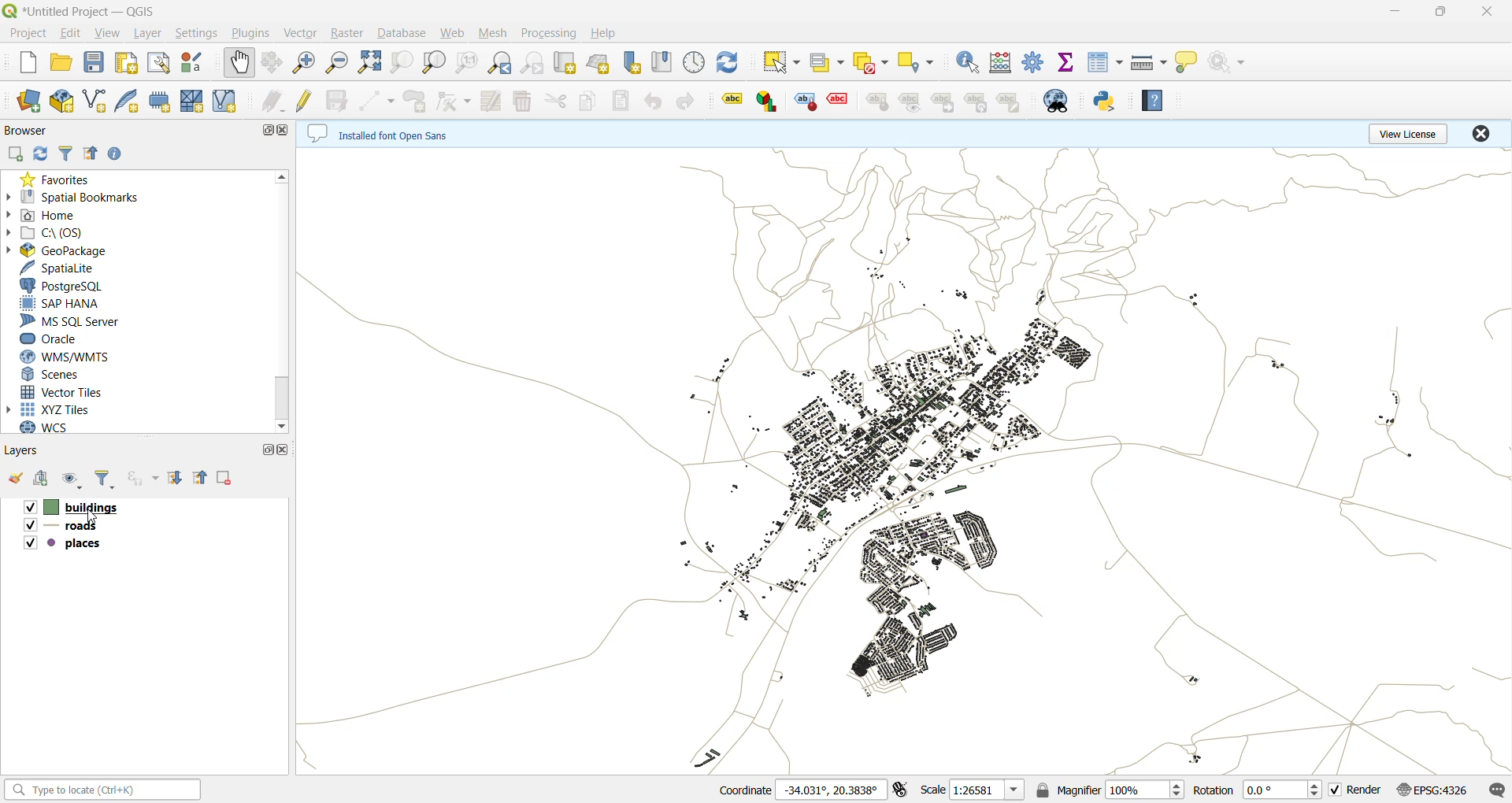  What do you see at coordinates (555, 101) in the screenshot?
I see `cut` at bounding box center [555, 101].